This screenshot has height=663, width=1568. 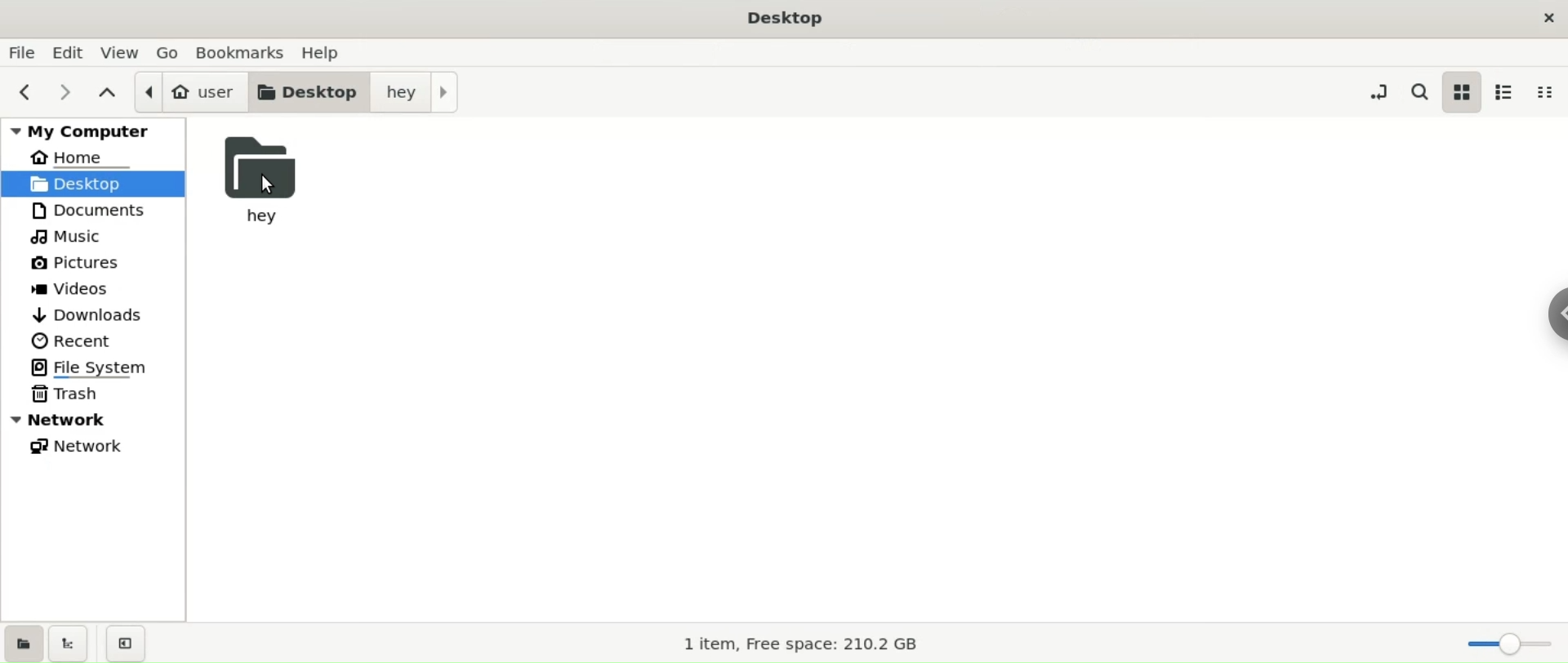 I want to click on toggle location entry, so click(x=1375, y=91).